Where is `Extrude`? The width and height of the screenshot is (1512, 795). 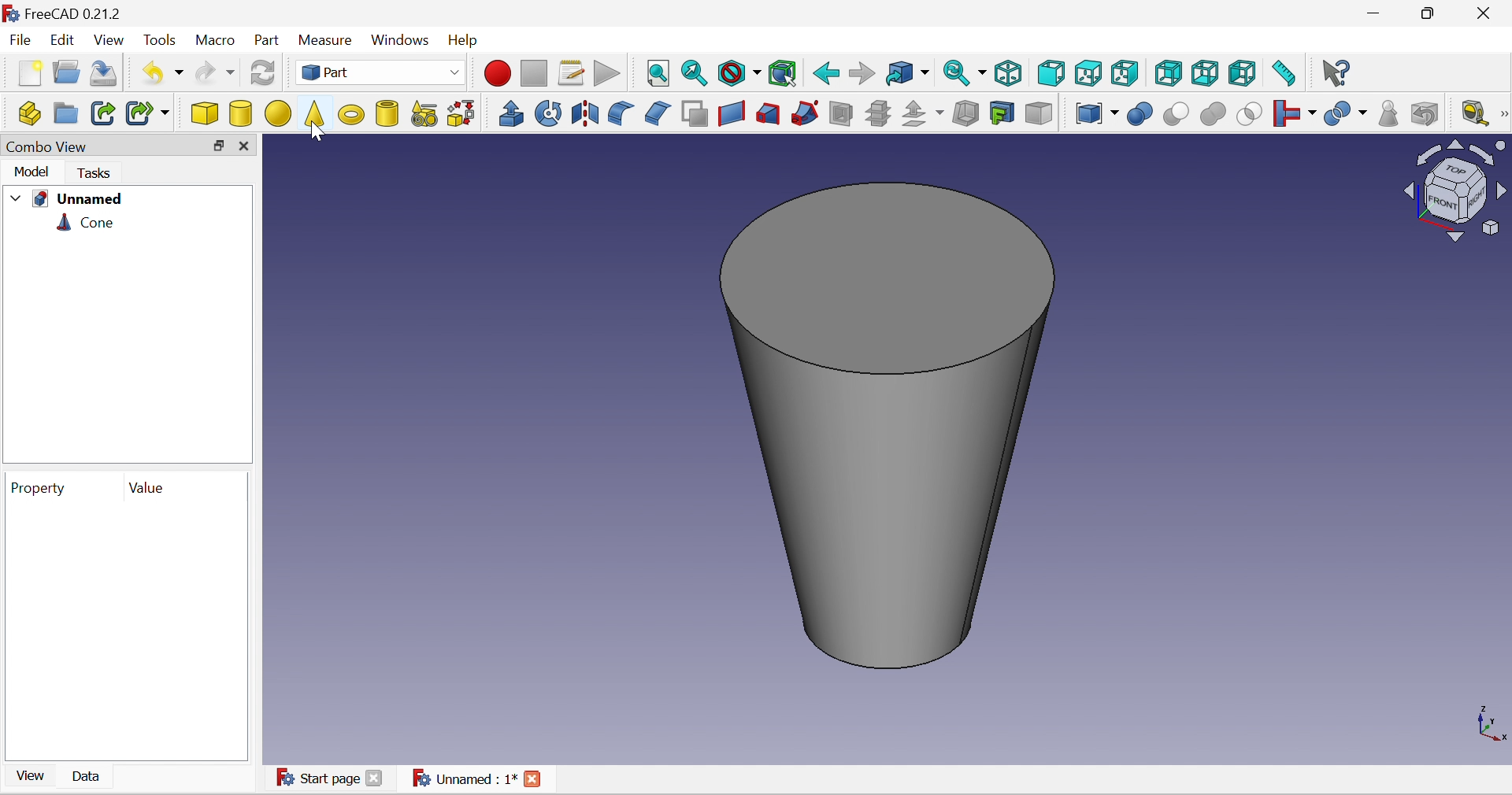 Extrude is located at coordinates (510, 113).